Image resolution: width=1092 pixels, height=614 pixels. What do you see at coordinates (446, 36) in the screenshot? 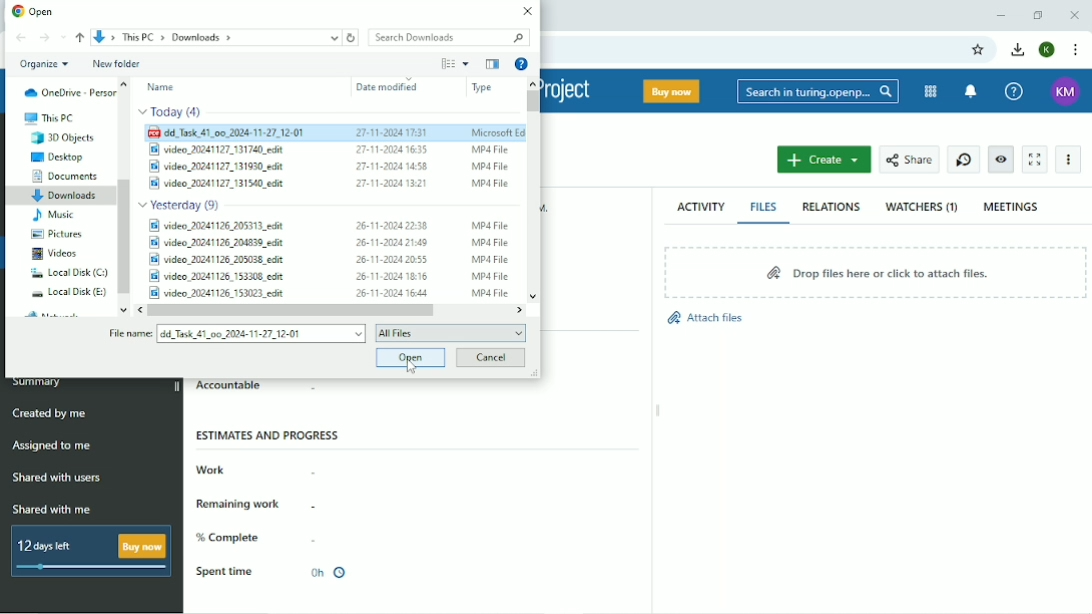
I see `Search Downloads` at bounding box center [446, 36].